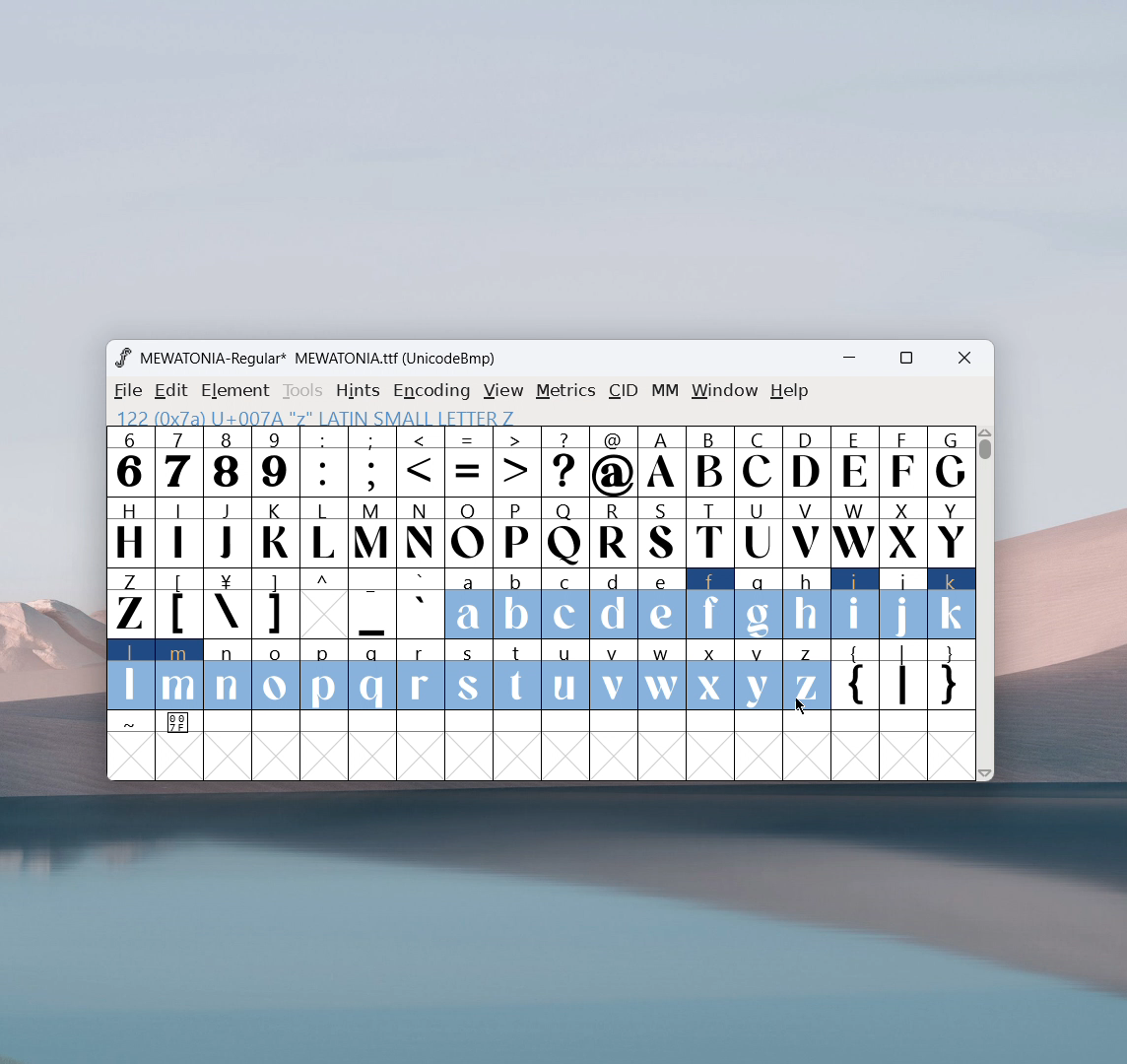  I want to click on window, so click(725, 391).